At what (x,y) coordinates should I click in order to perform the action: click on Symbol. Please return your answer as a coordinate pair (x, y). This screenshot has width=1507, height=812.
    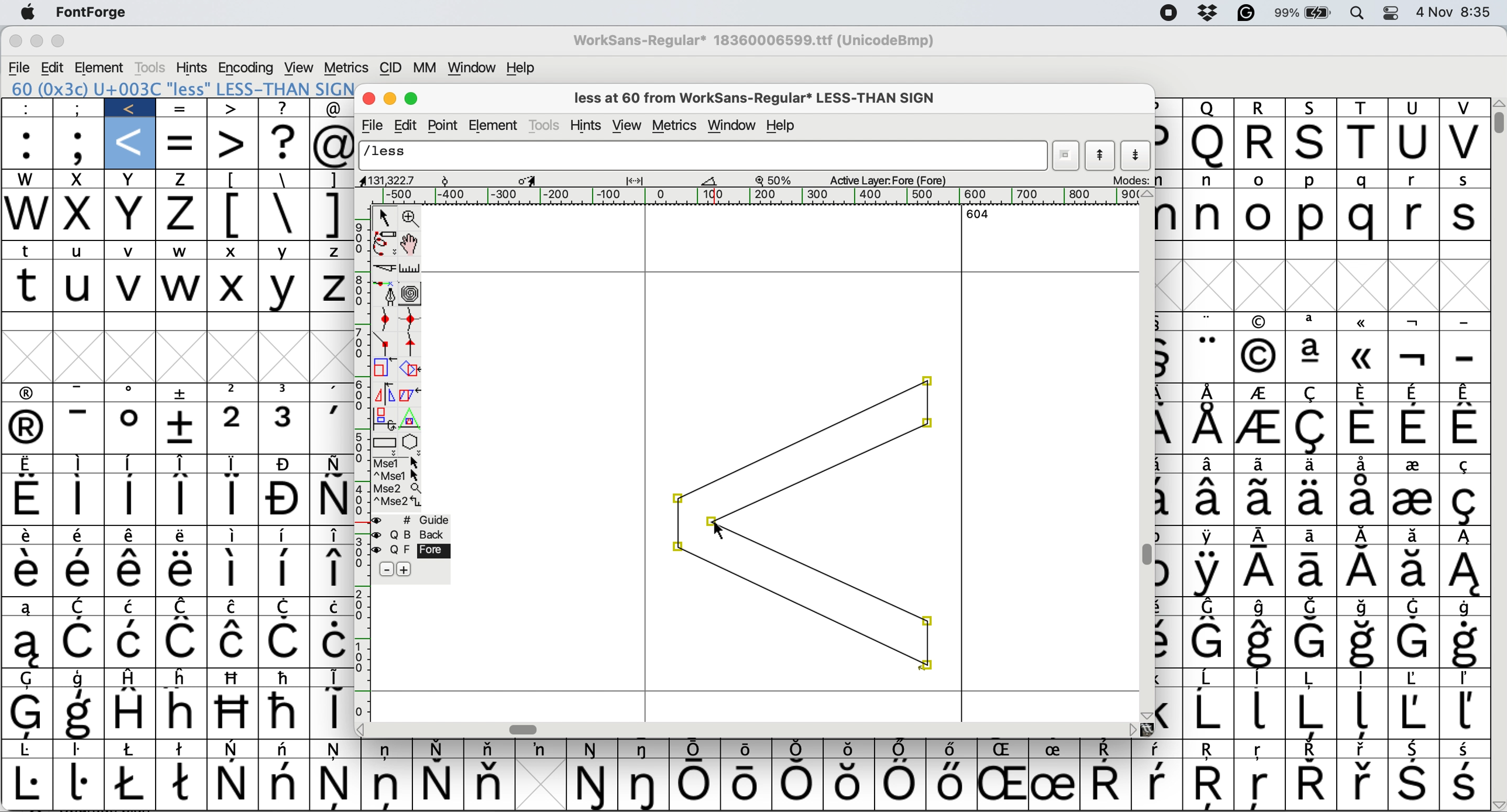
    Looking at the image, I should click on (129, 711).